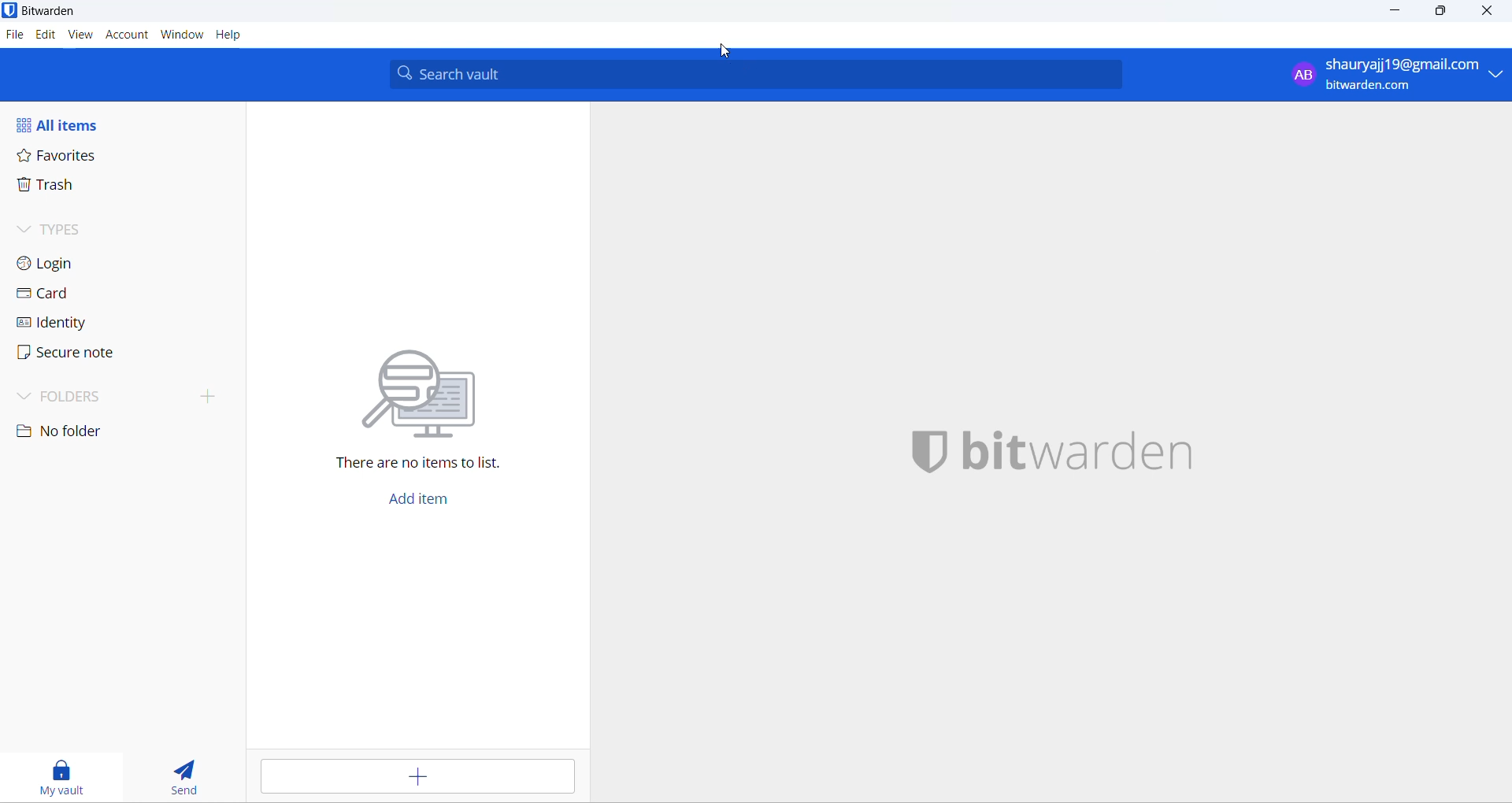 The width and height of the screenshot is (1512, 803). Describe the element at coordinates (16, 39) in the screenshot. I see `settings` at that location.